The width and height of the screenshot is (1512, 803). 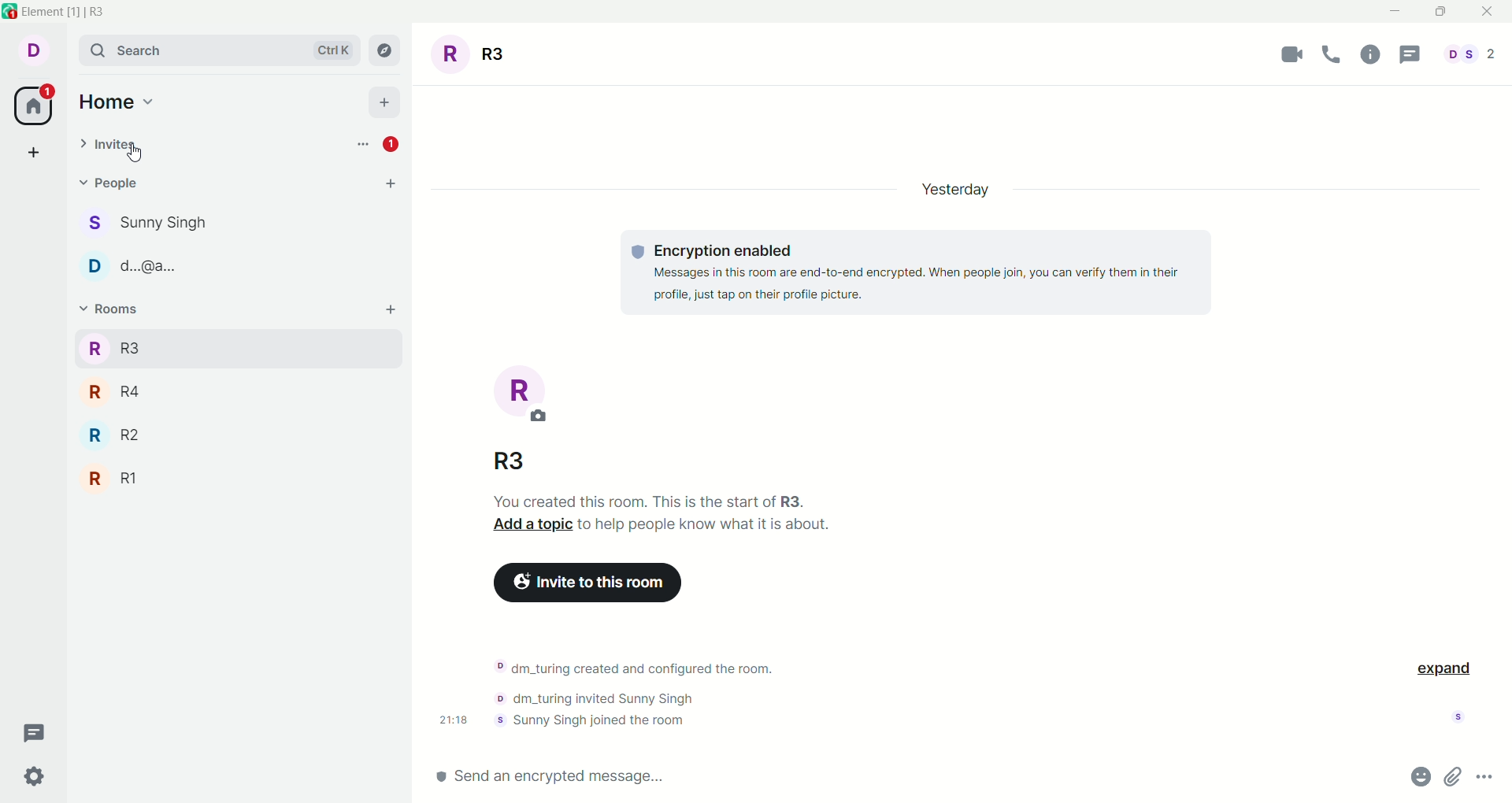 I want to click on R2, so click(x=235, y=431).